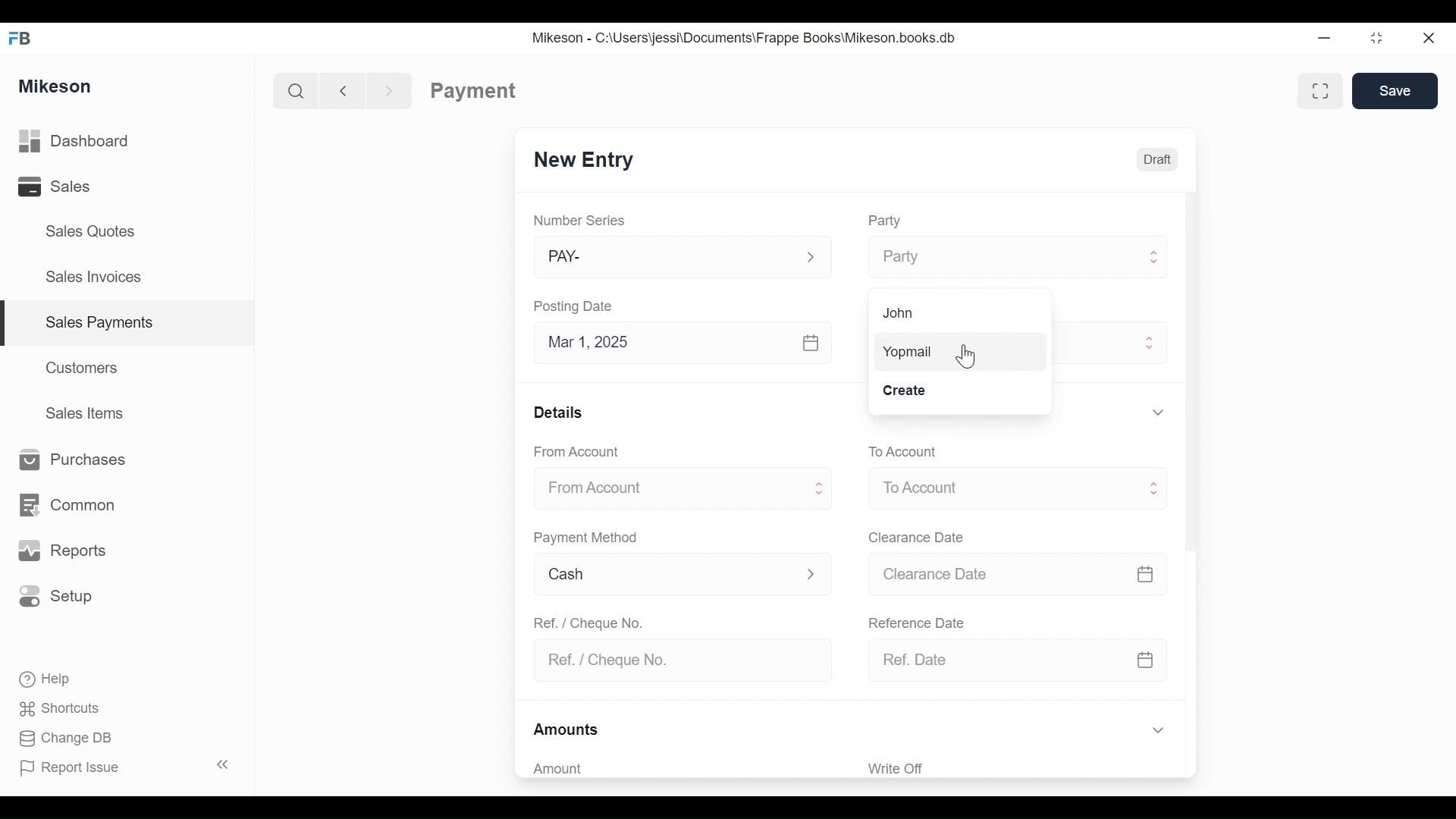 The width and height of the screenshot is (1456, 819). Describe the element at coordinates (745, 38) in the screenshot. I see `Mikeson - C:\Users\jessi\Documents\Frappe Books\Mikeson.books.db` at that location.